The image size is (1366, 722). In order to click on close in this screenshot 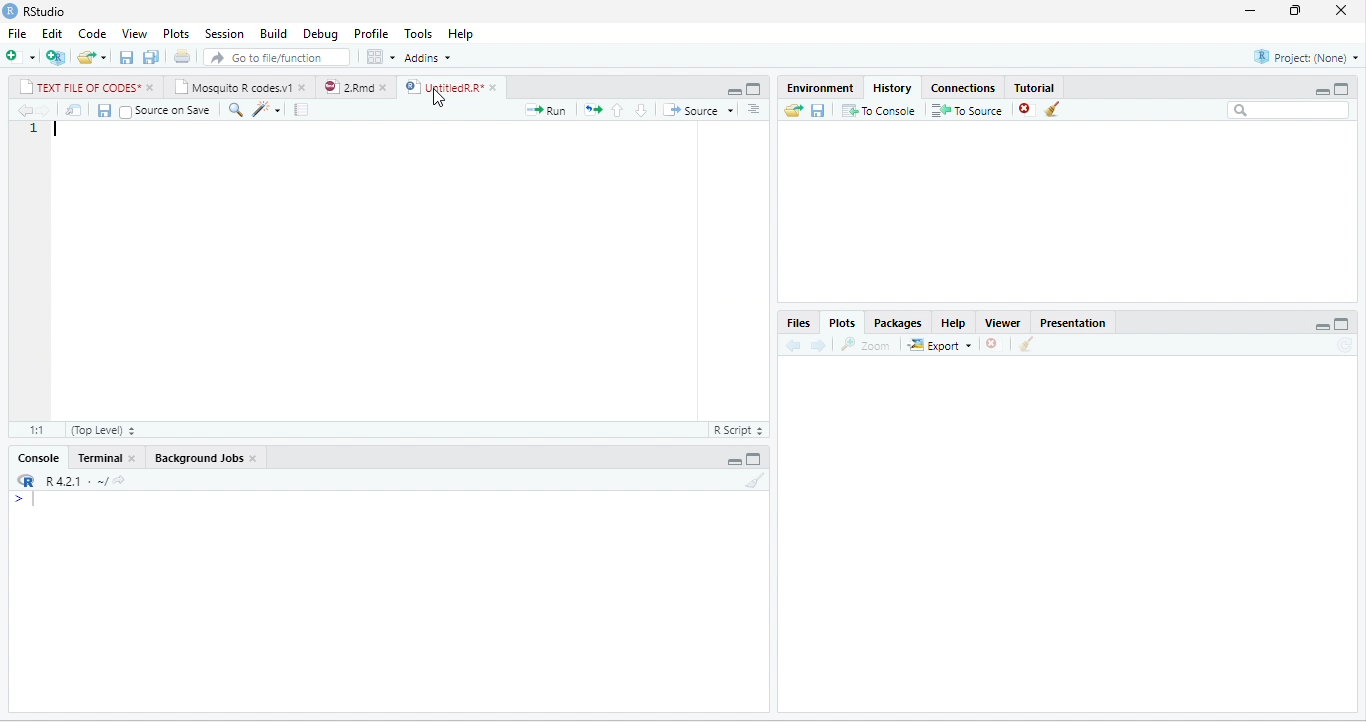, I will do `click(254, 459)`.